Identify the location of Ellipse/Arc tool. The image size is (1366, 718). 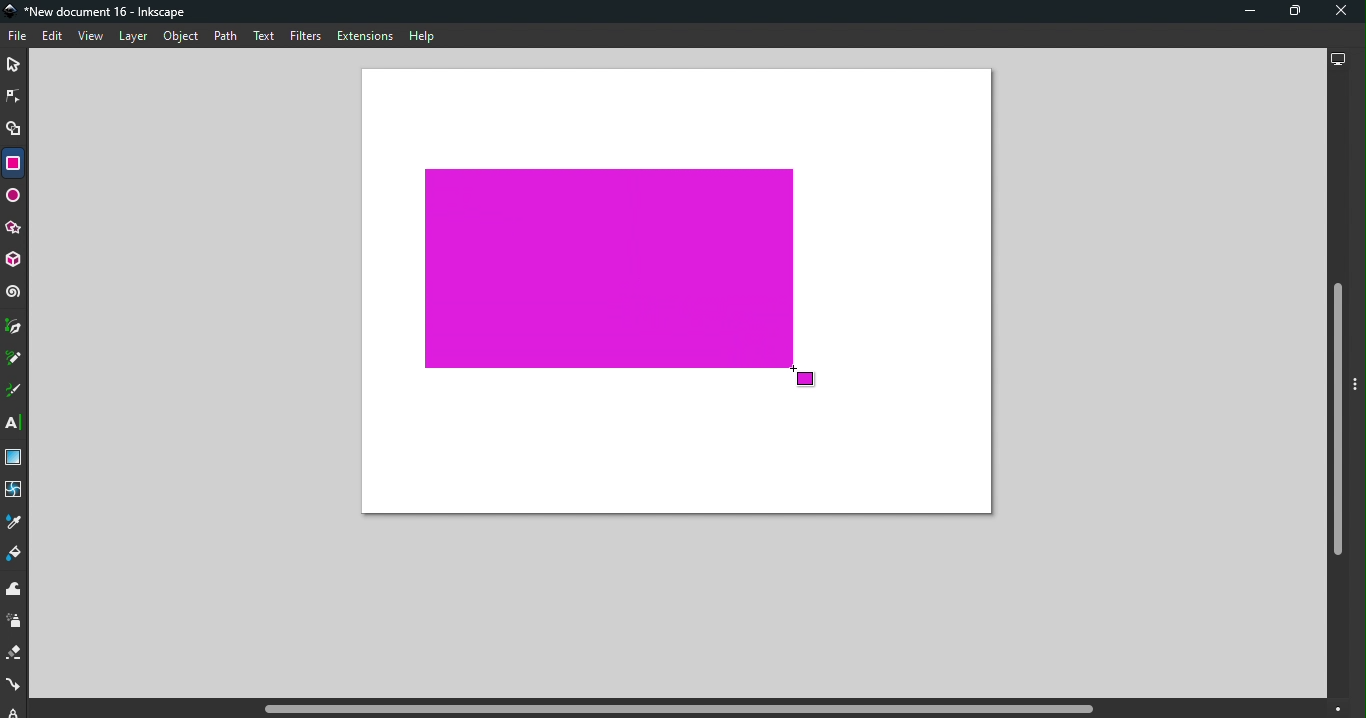
(14, 198).